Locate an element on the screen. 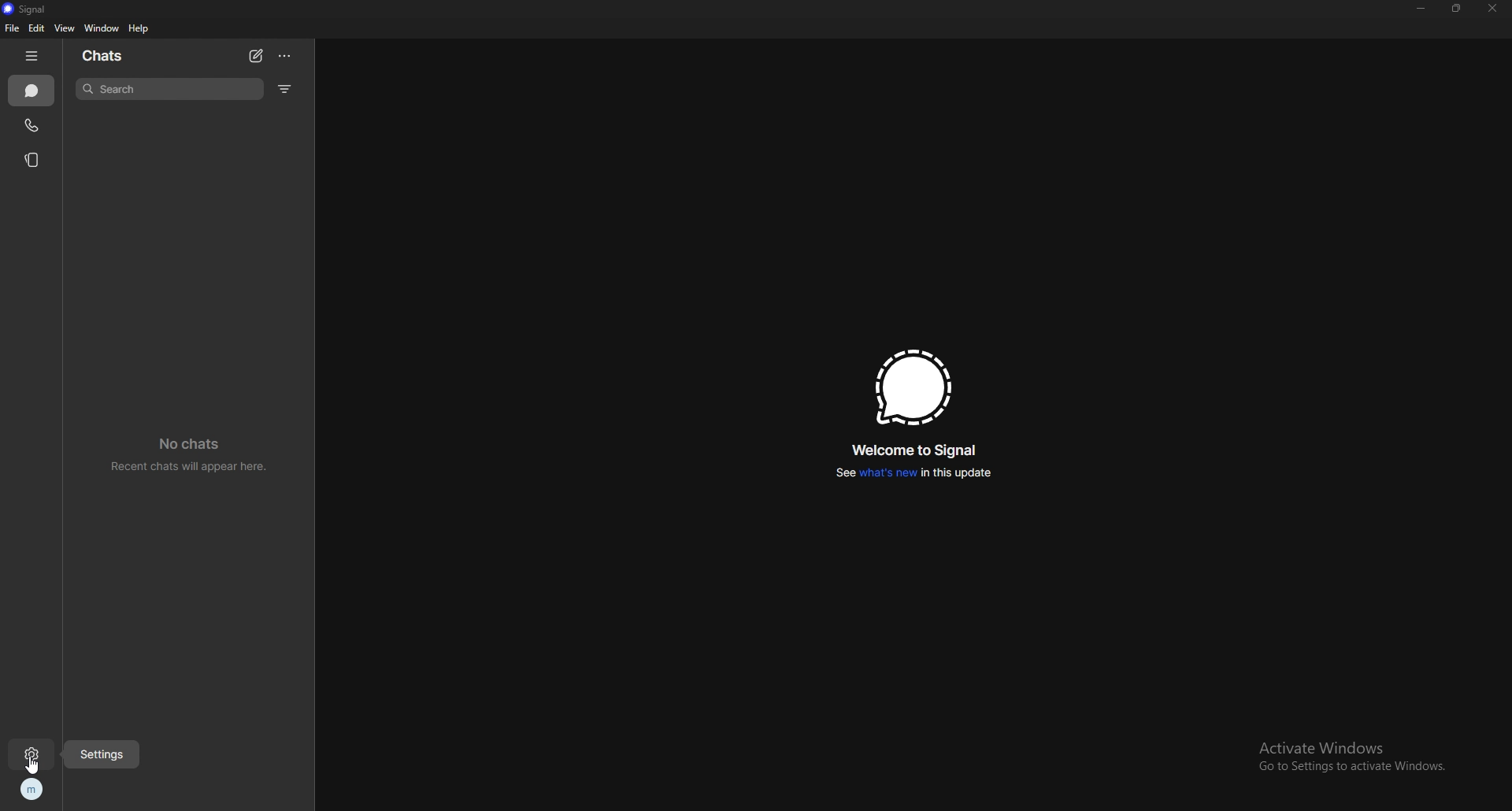  window is located at coordinates (102, 28).